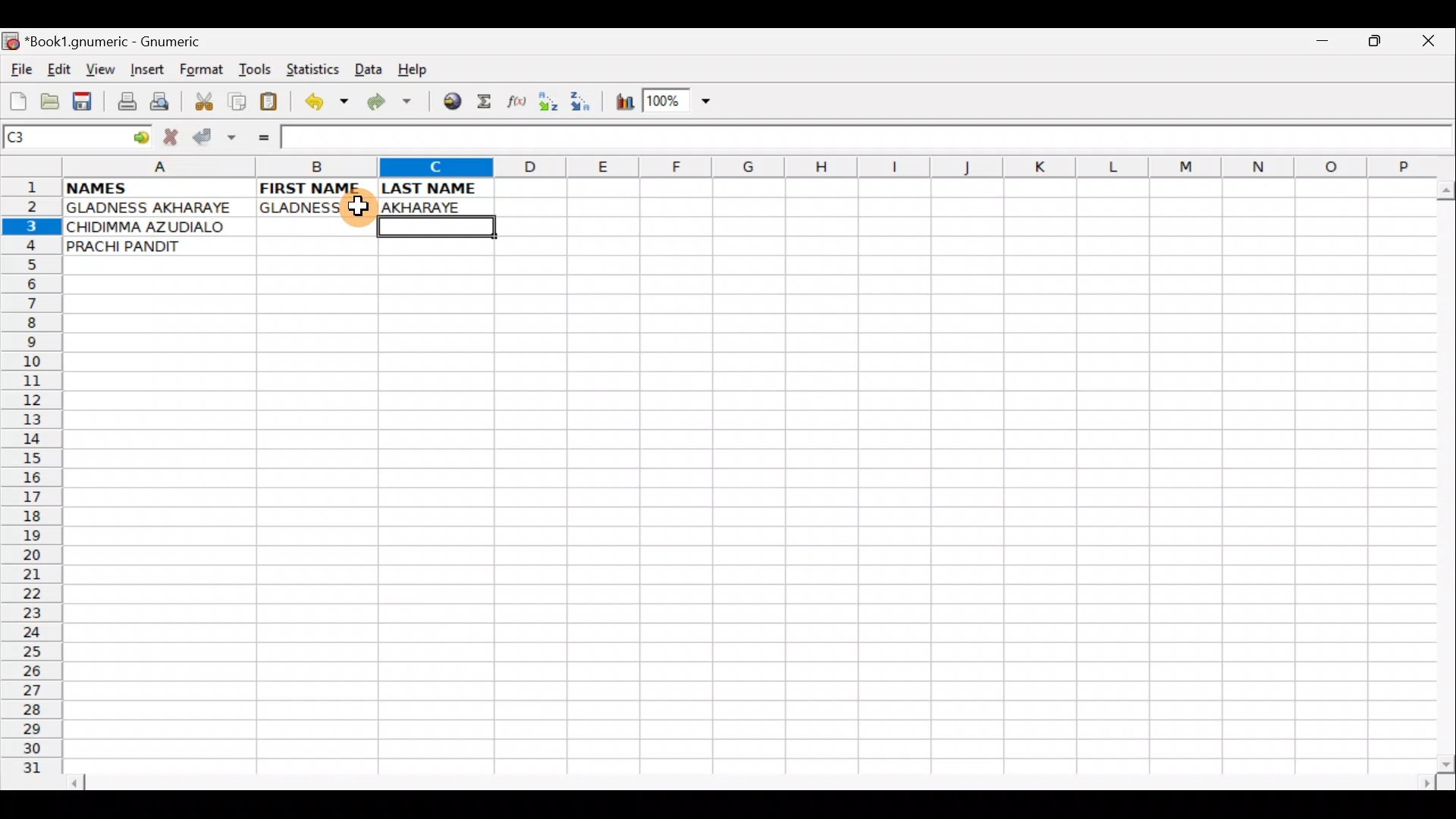  What do you see at coordinates (160, 105) in the screenshot?
I see `Print preview` at bounding box center [160, 105].